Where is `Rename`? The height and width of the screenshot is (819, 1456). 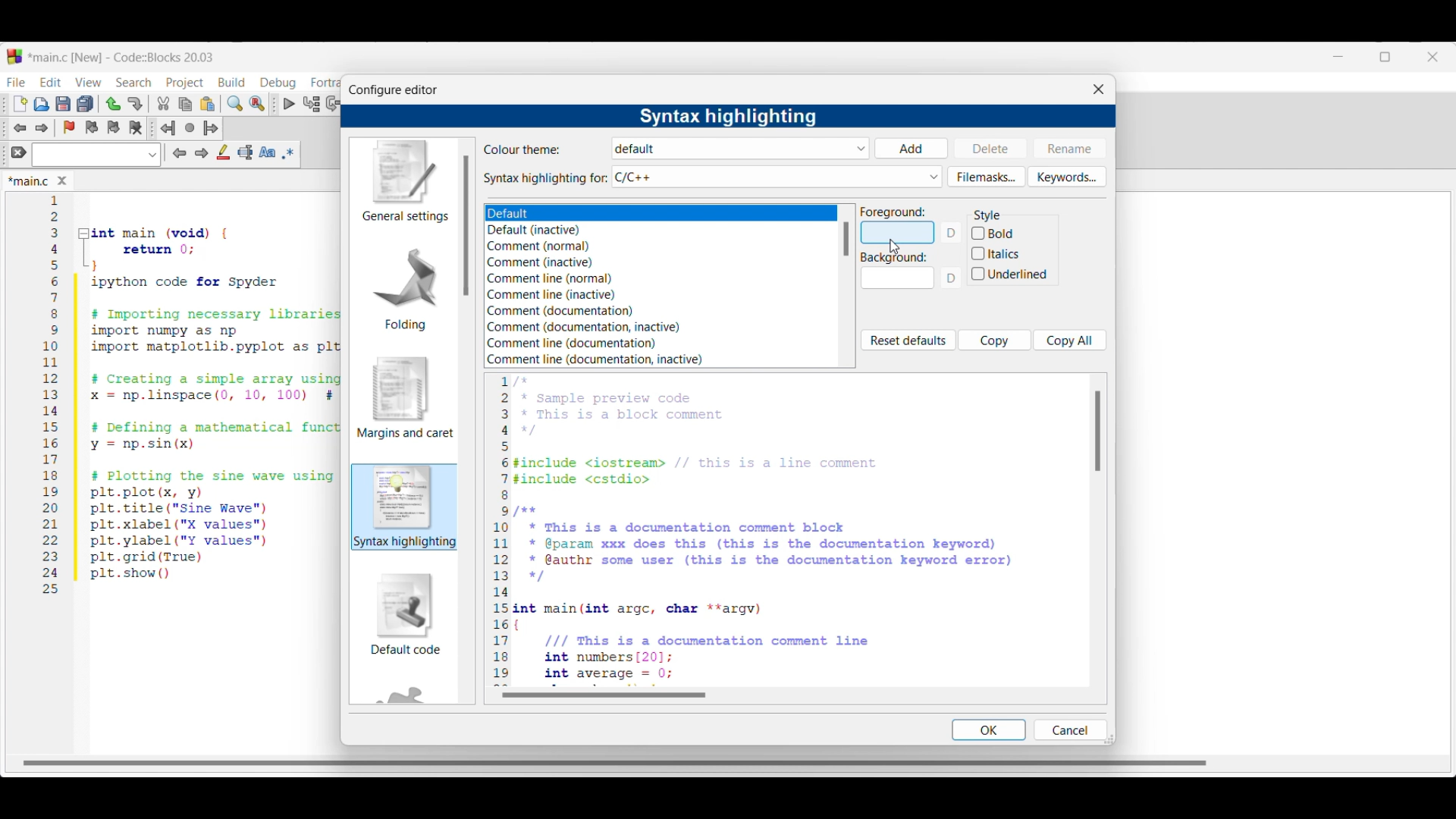 Rename is located at coordinates (1069, 148).